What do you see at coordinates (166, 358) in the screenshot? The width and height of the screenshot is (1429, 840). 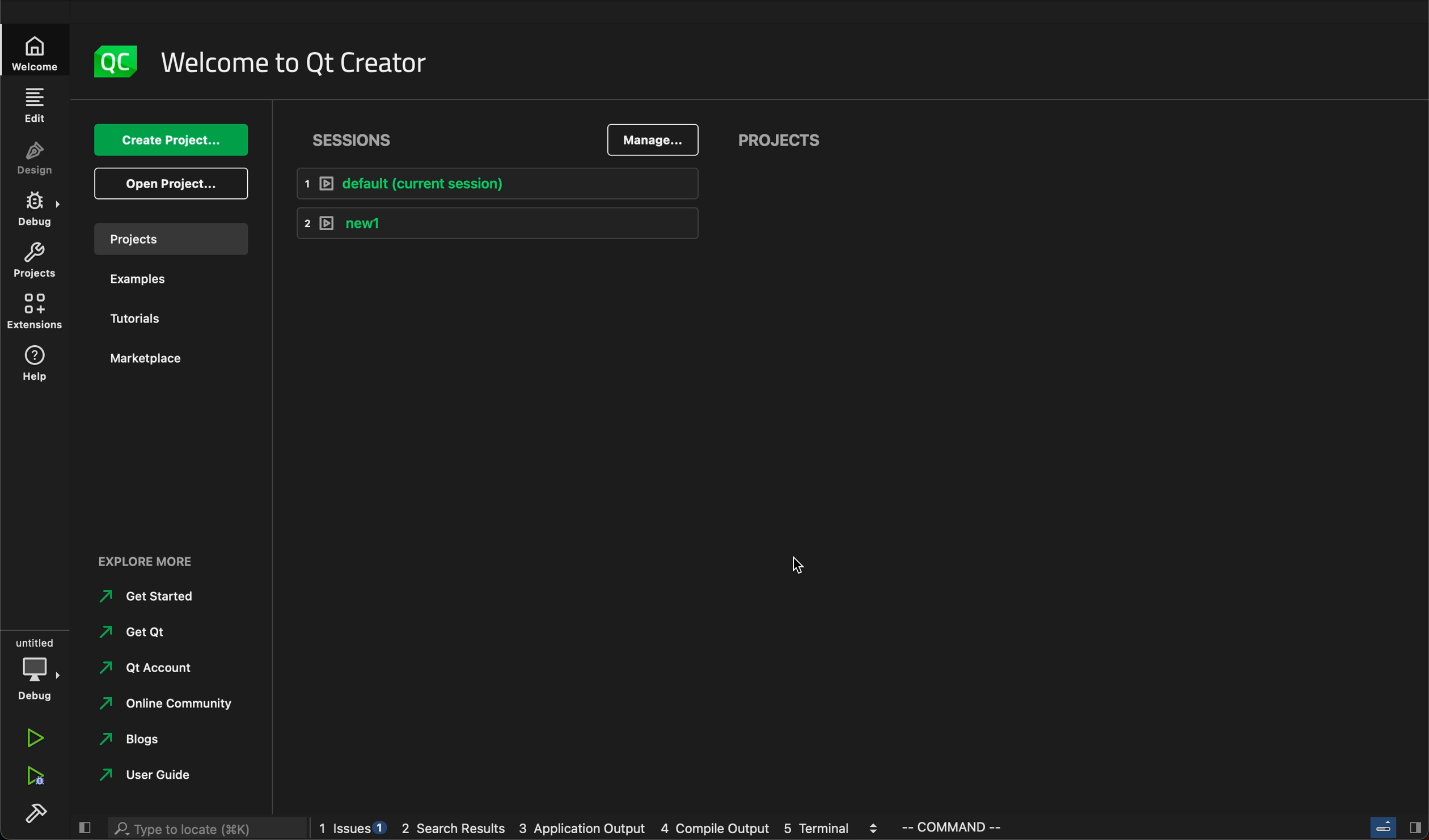 I see `marketplace` at bounding box center [166, 358].